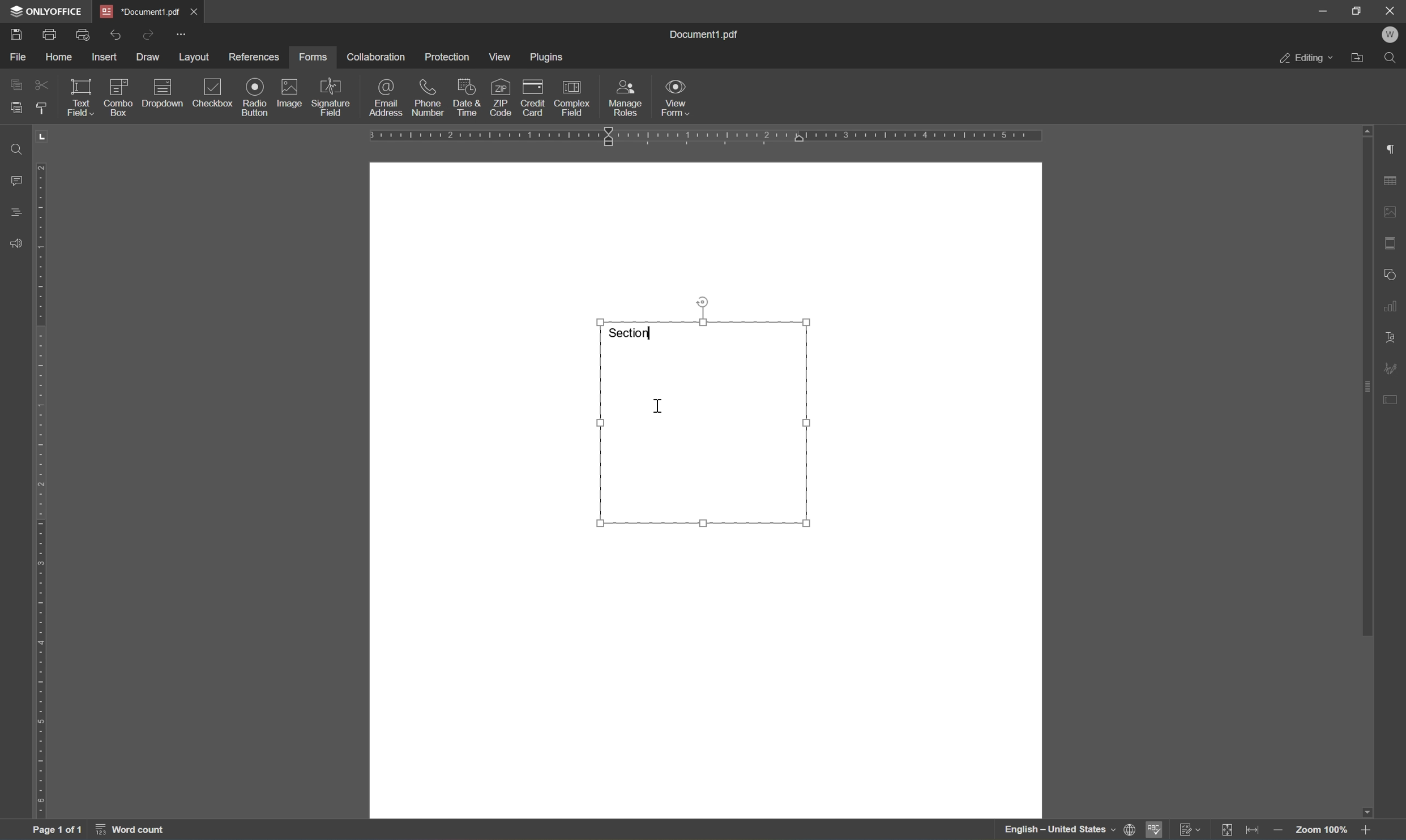  Describe the element at coordinates (549, 58) in the screenshot. I see `plugins` at that location.